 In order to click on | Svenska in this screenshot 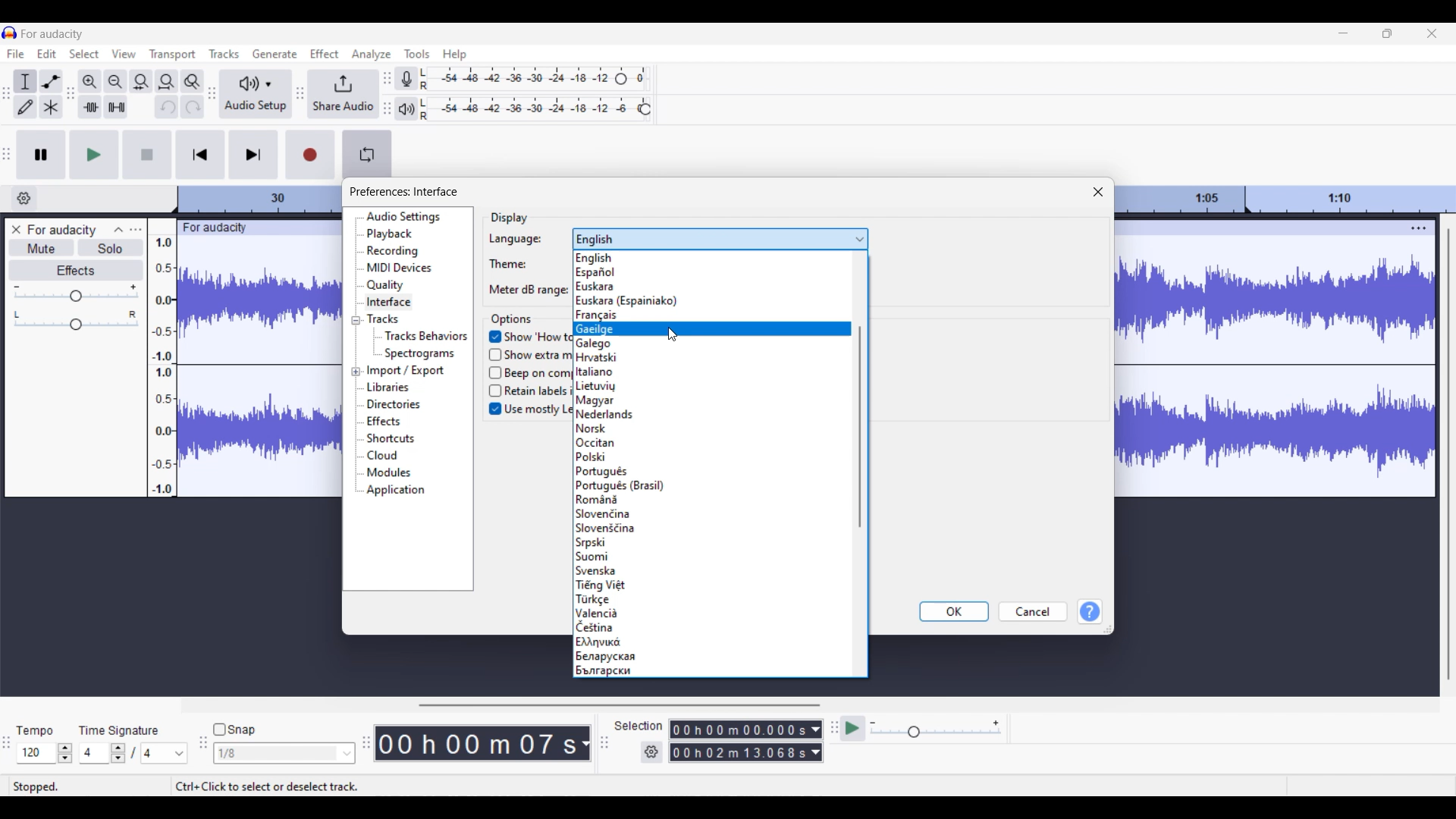, I will do `click(595, 570)`.